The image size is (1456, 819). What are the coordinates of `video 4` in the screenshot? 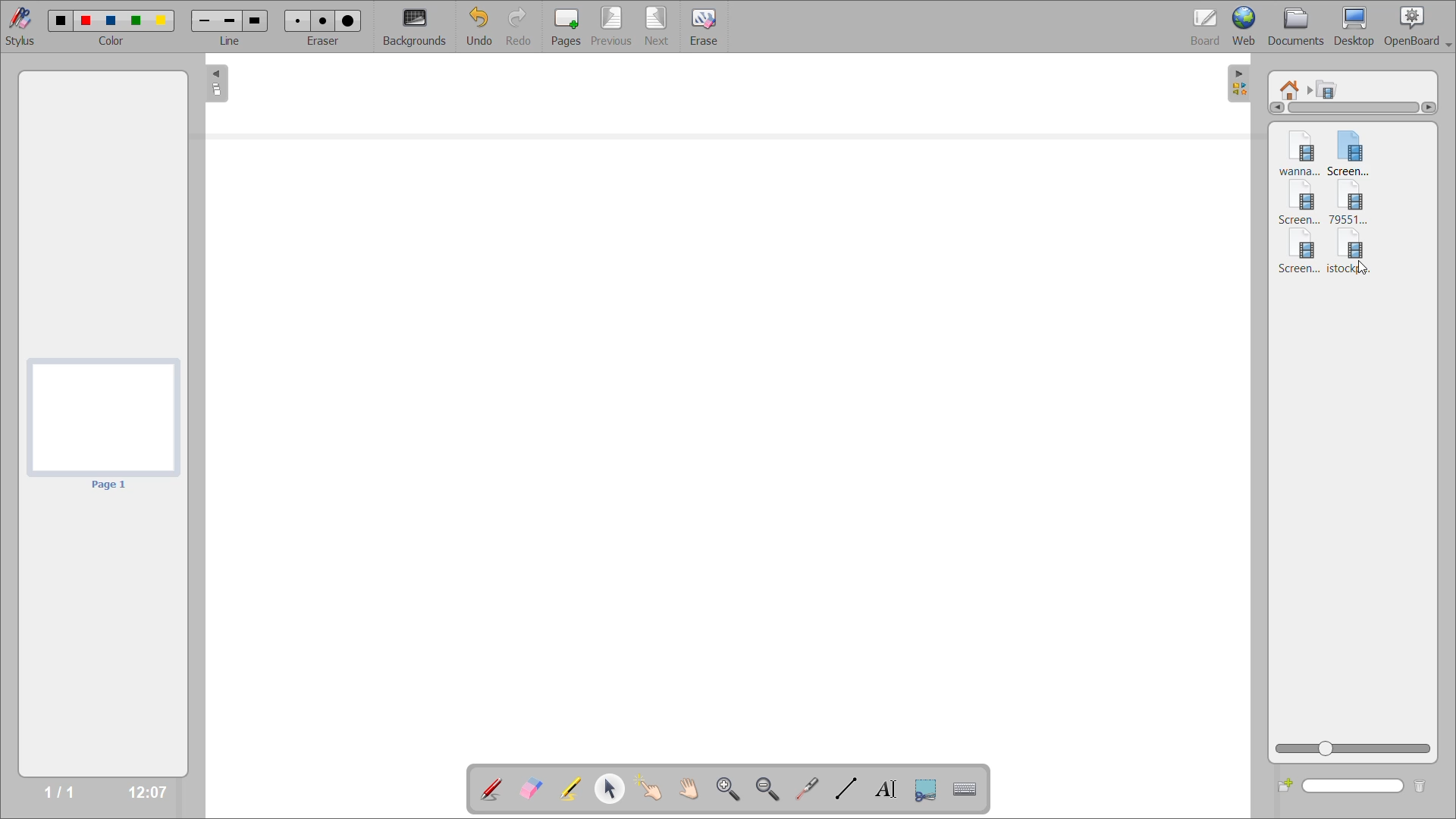 It's located at (1356, 202).